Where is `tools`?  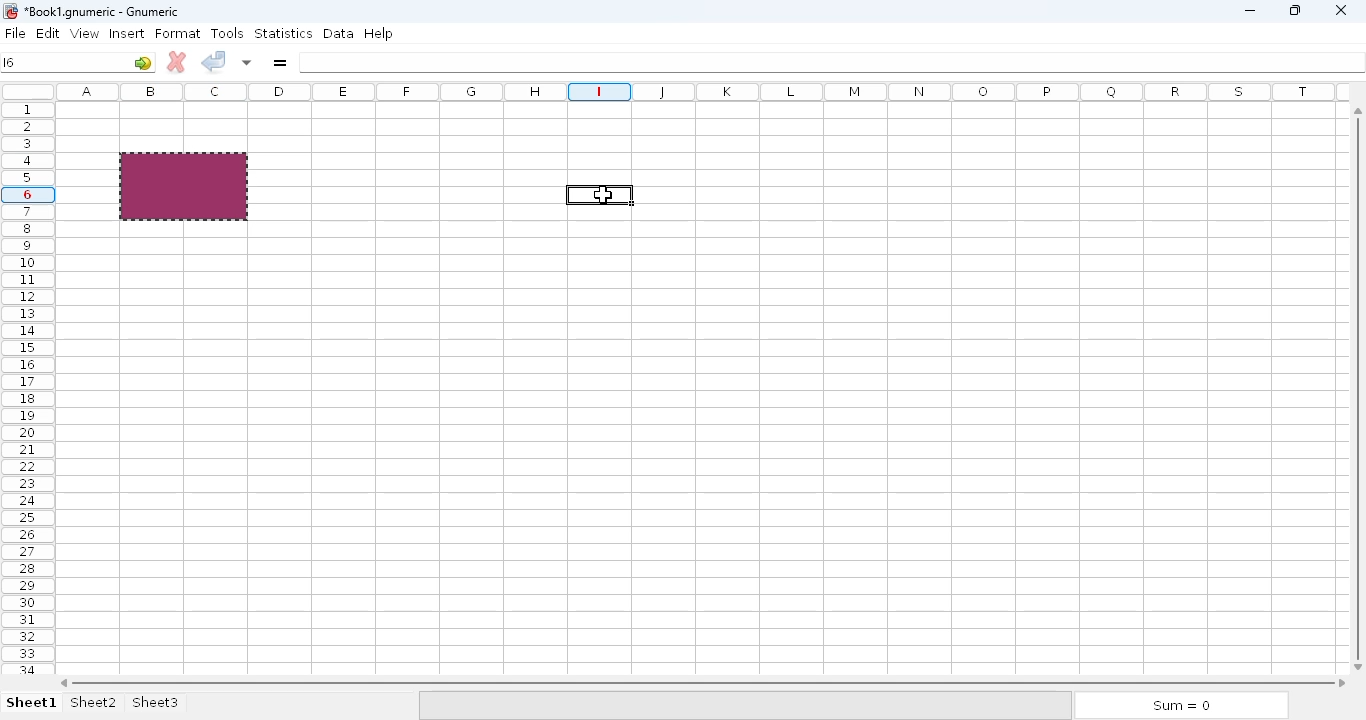 tools is located at coordinates (226, 33).